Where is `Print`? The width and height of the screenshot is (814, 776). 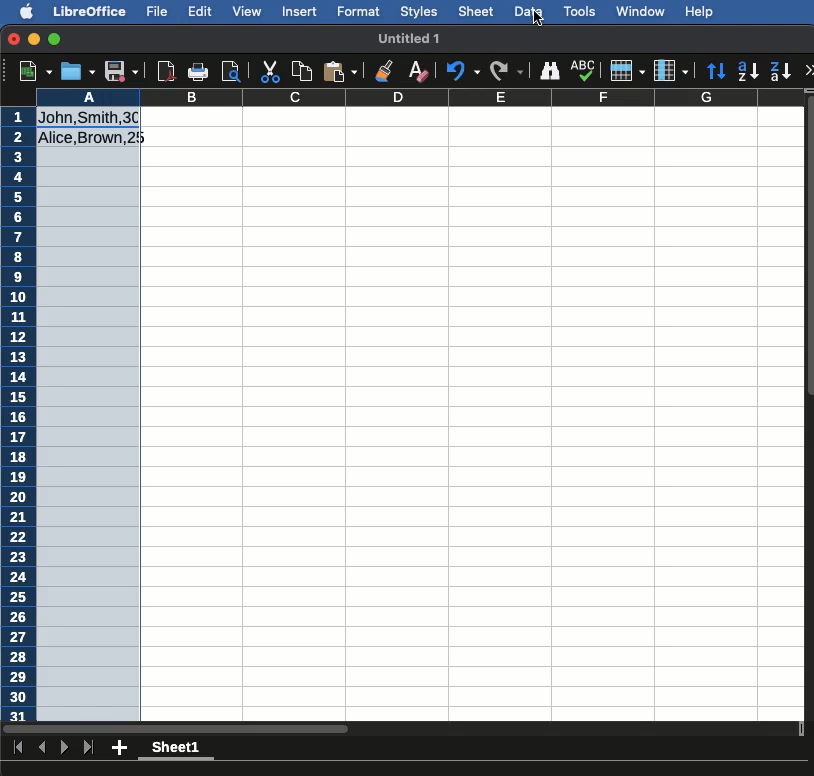
Print is located at coordinates (197, 69).